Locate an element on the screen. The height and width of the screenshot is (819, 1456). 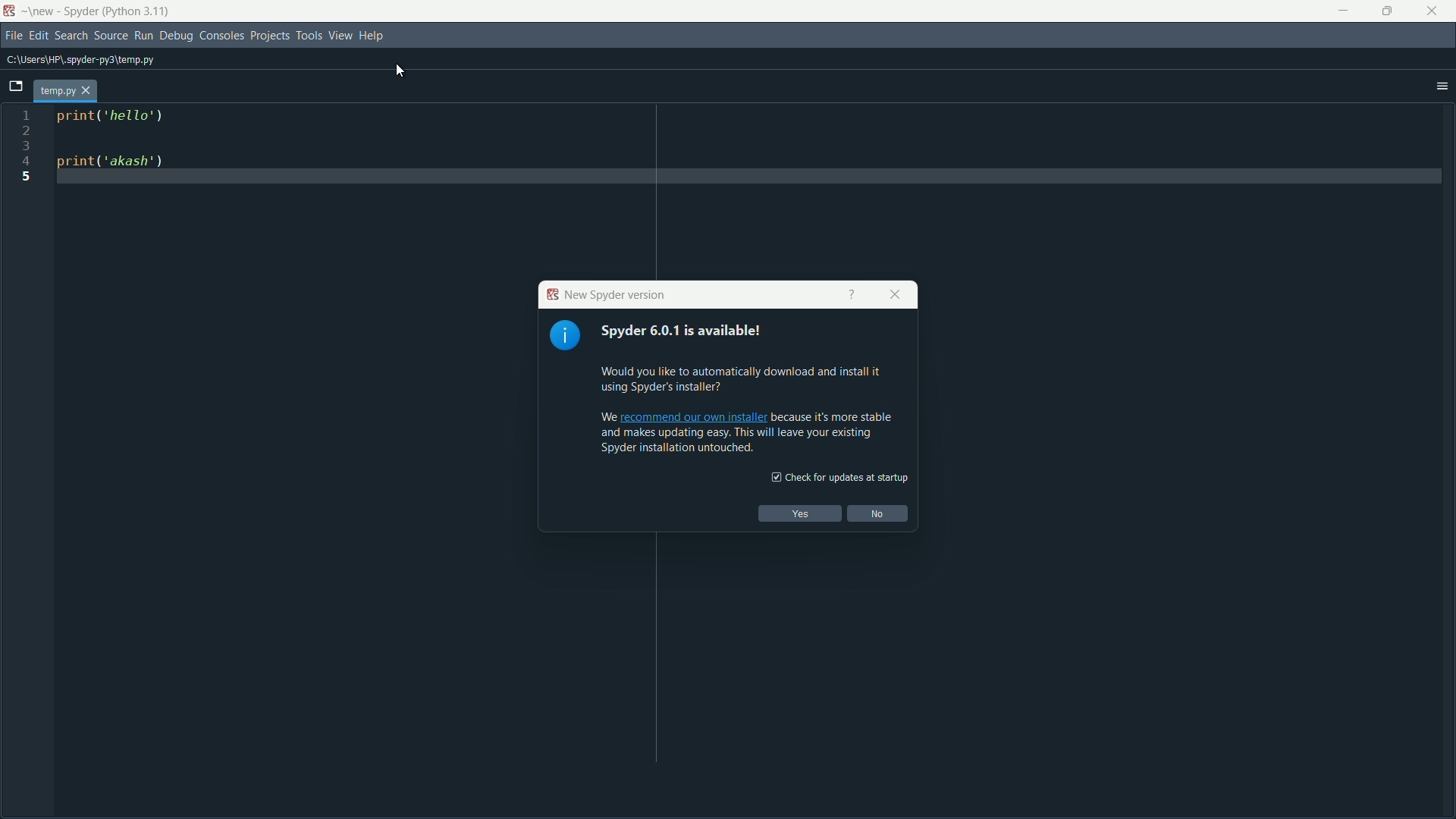
information is located at coordinates (566, 336).